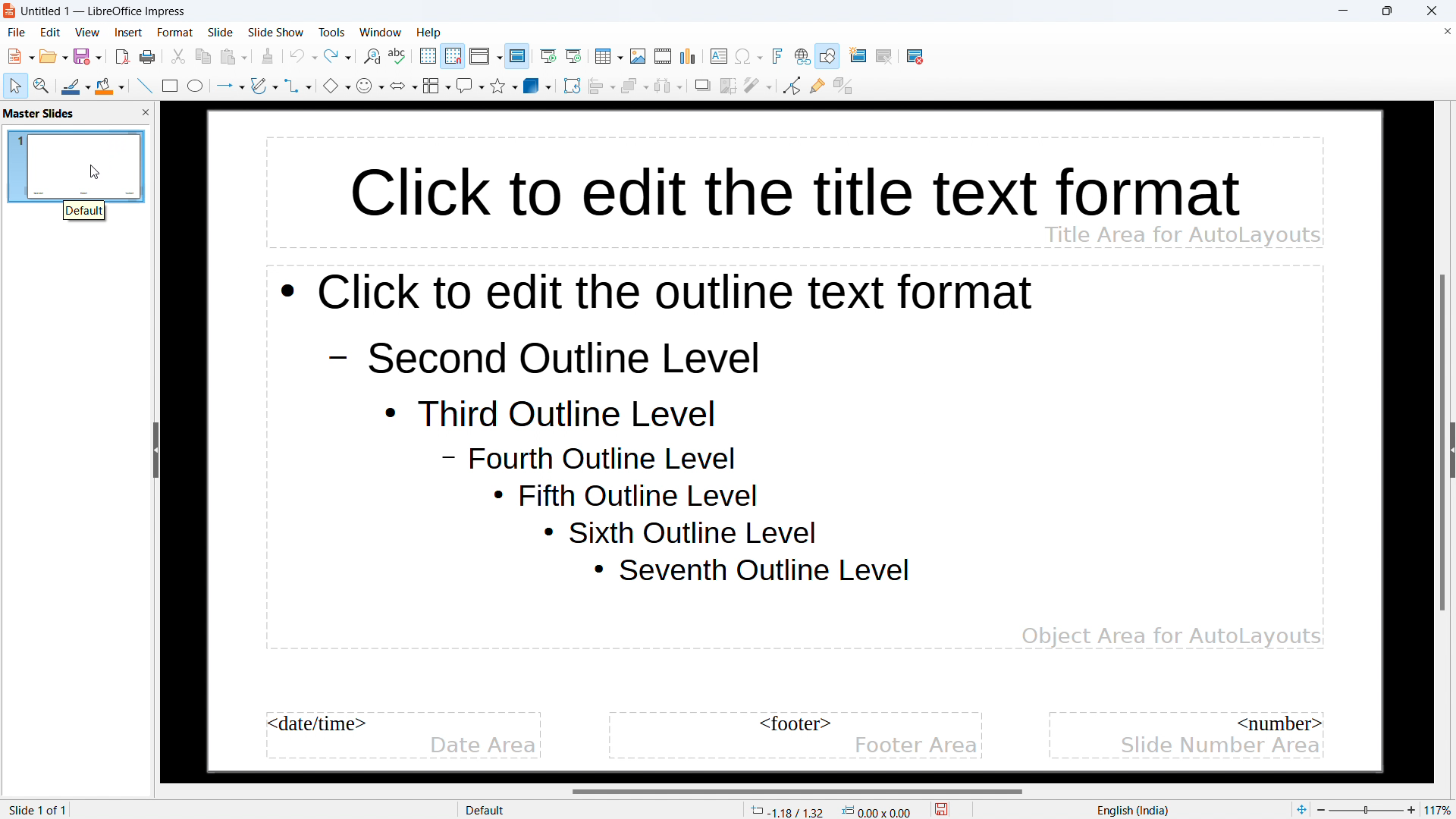 This screenshot has height=819, width=1456. I want to click on Default, so click(487, 810).